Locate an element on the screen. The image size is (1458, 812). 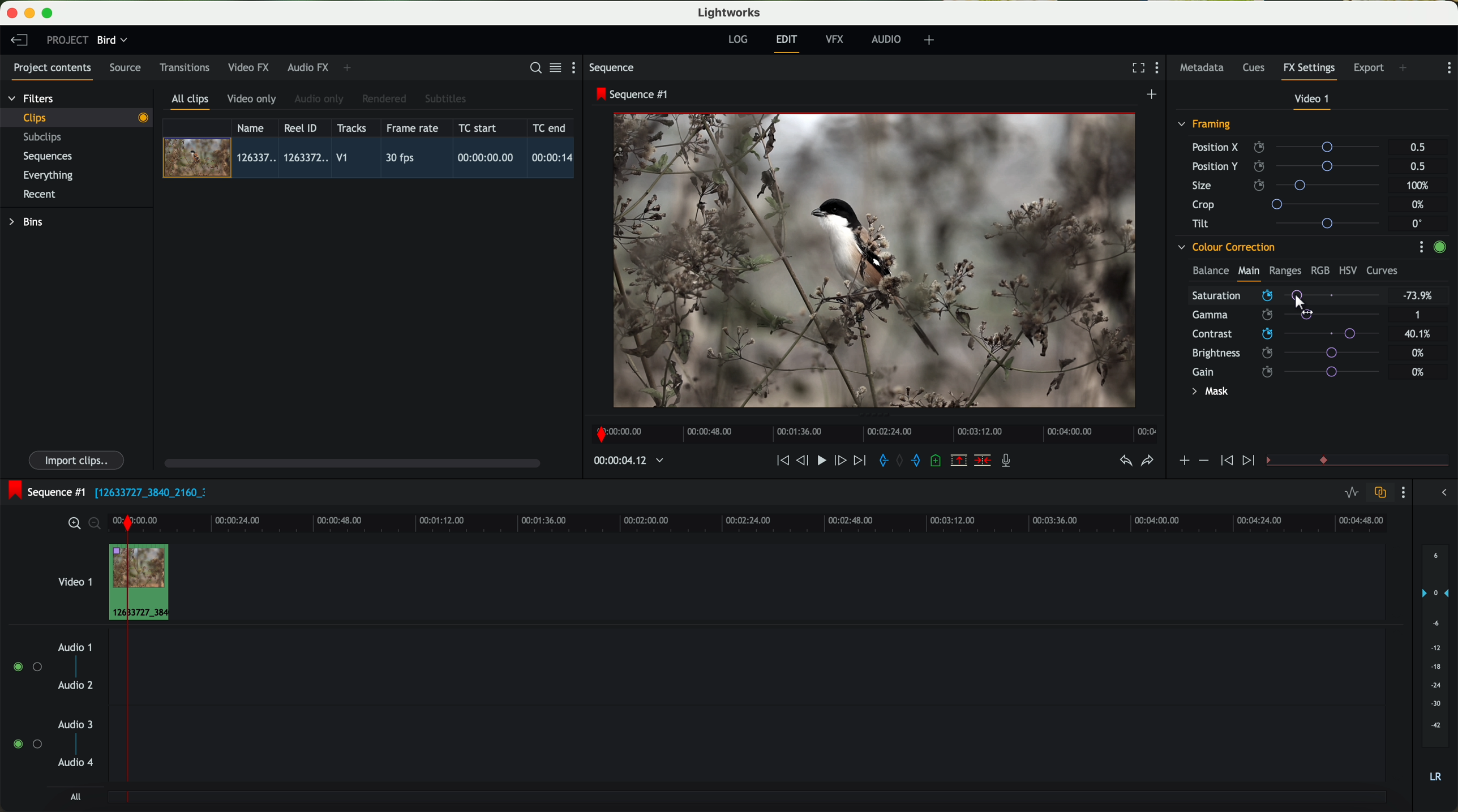
show settings menu is located at coordinates (578, 67).